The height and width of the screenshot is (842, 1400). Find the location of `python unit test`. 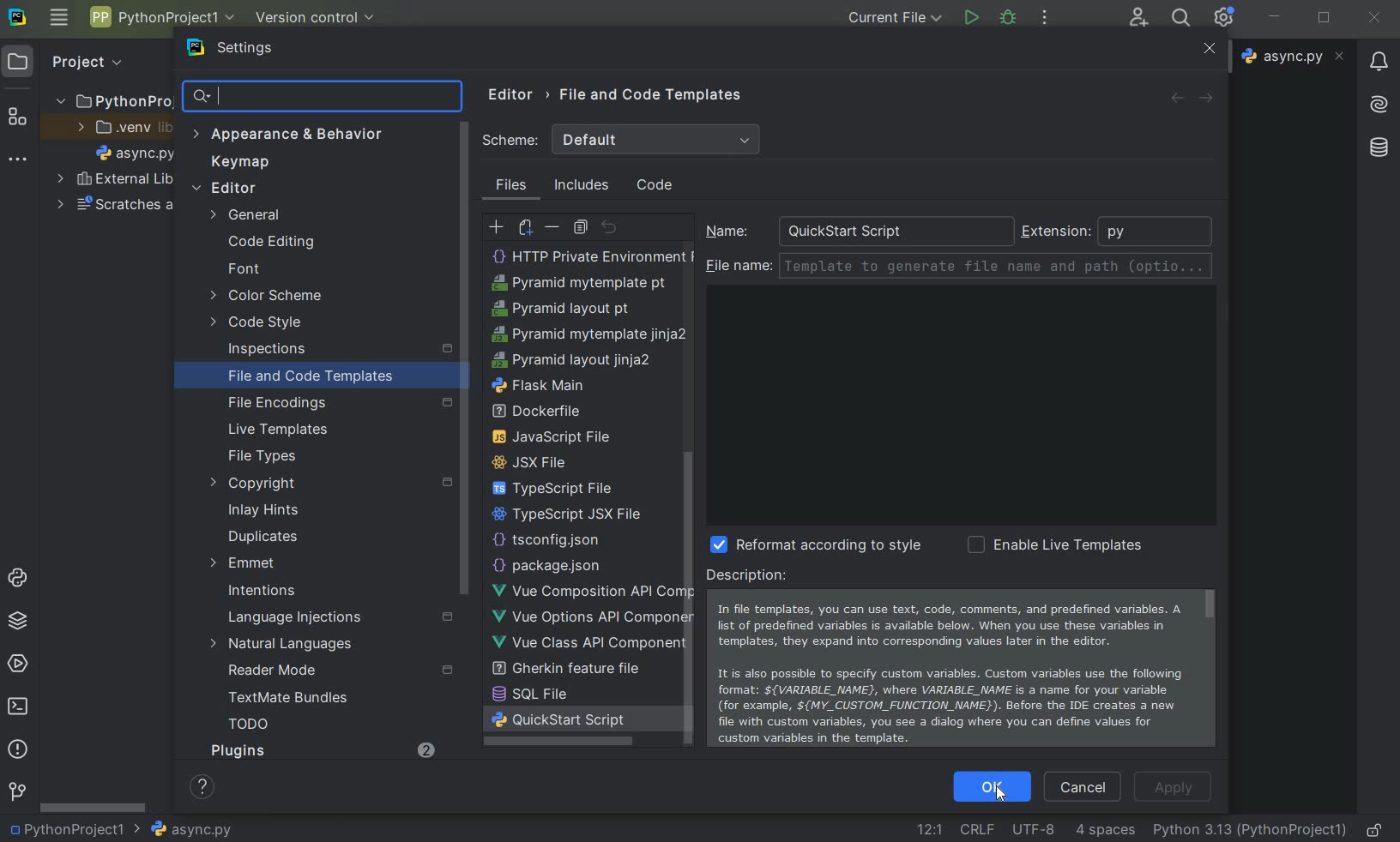

python unit test is located at coordinates (558, 410).